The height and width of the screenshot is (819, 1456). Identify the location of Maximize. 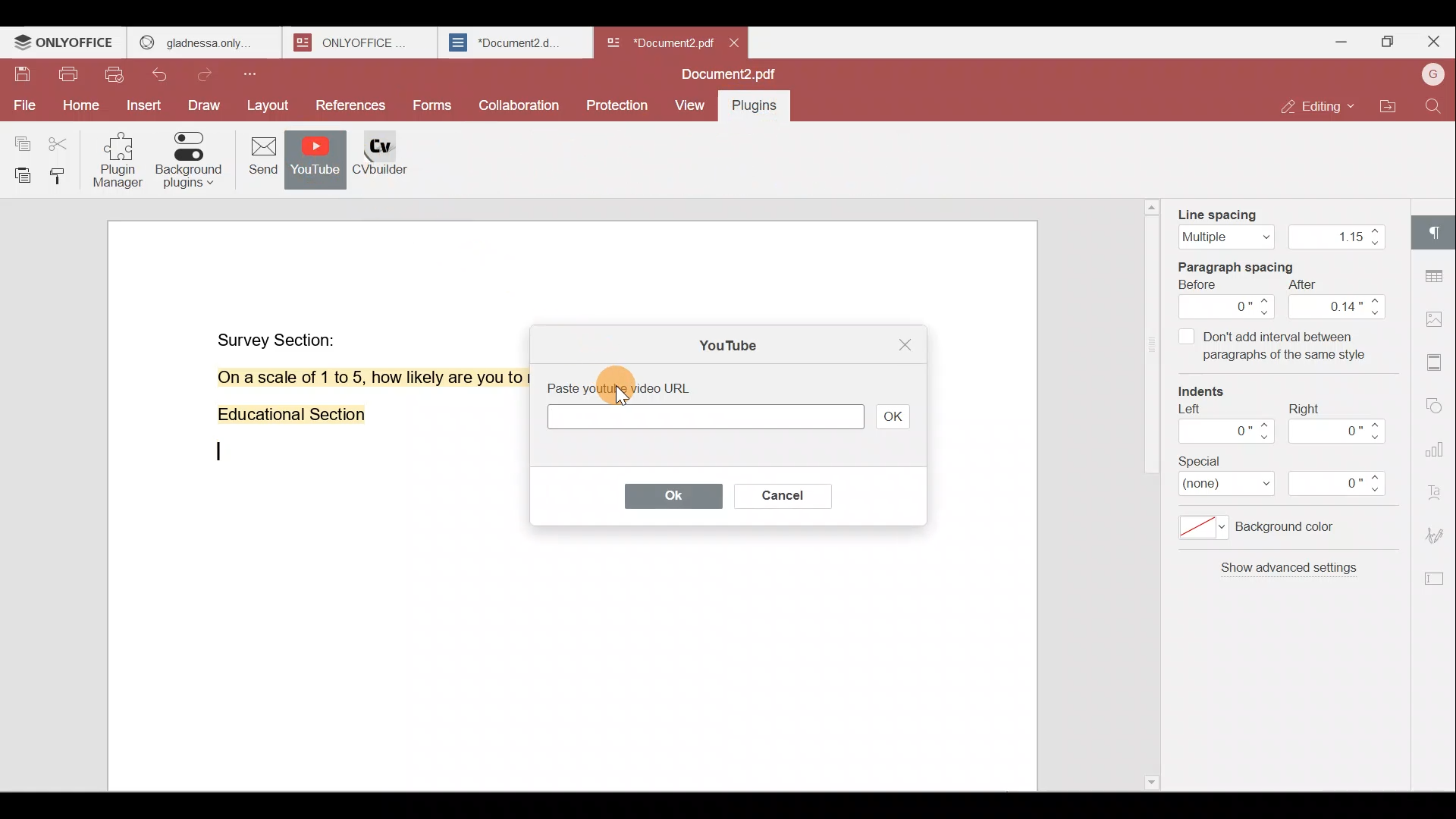
(1386, 44).